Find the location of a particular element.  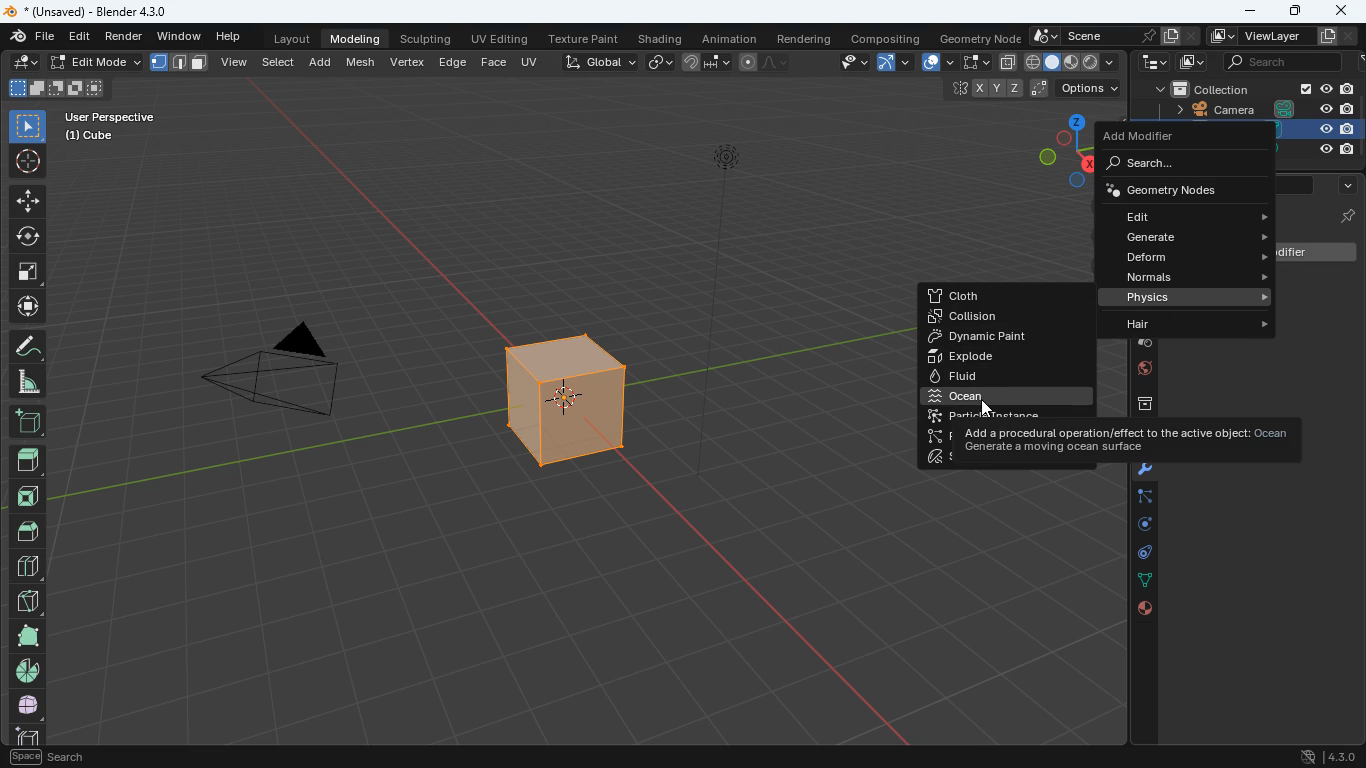

edit is located at coordinates (82, 37).